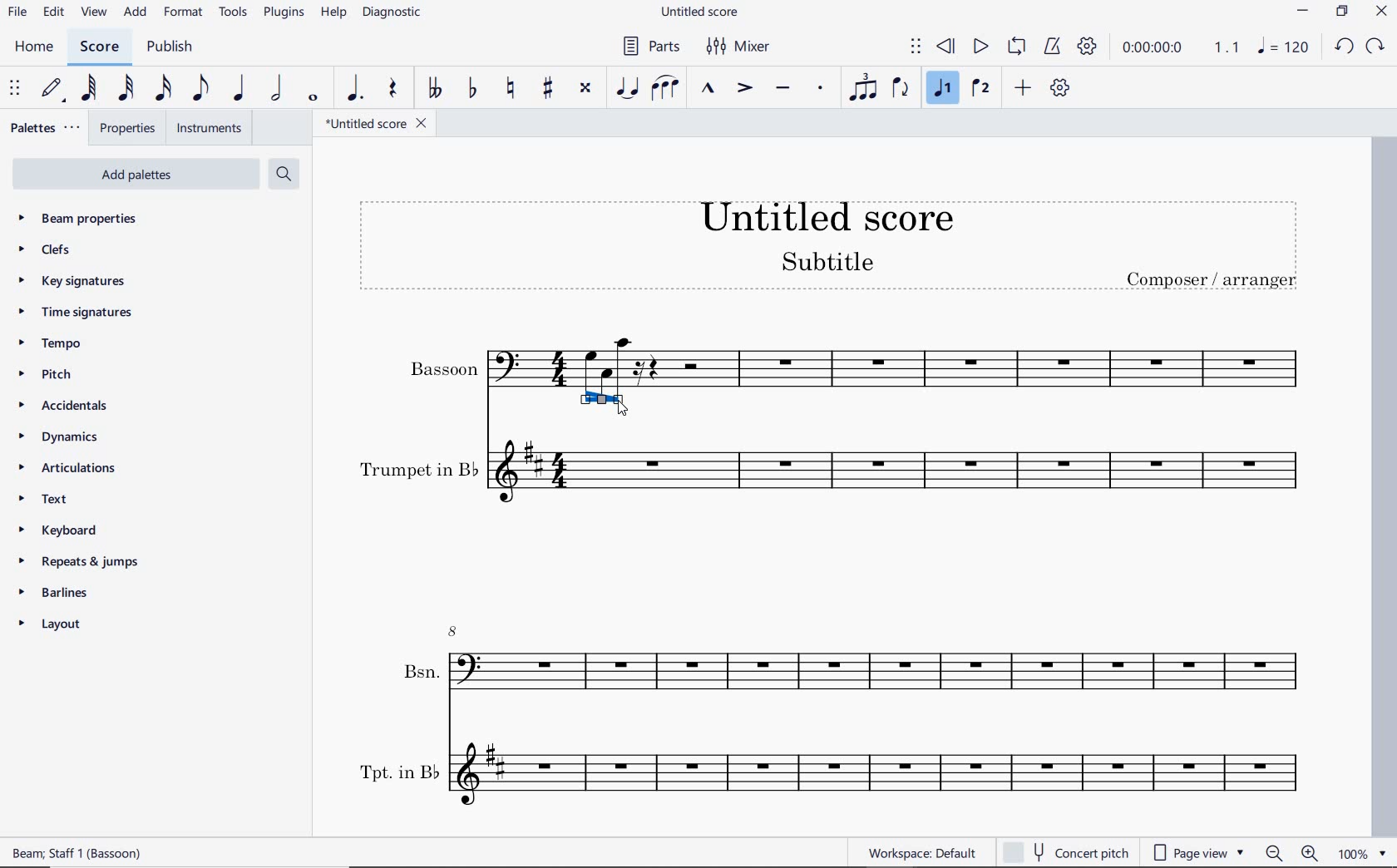 The image size is (1397, 868). Describe the element at coordinates (72, 313) in the screenshot. I see `time signatures` at that location.